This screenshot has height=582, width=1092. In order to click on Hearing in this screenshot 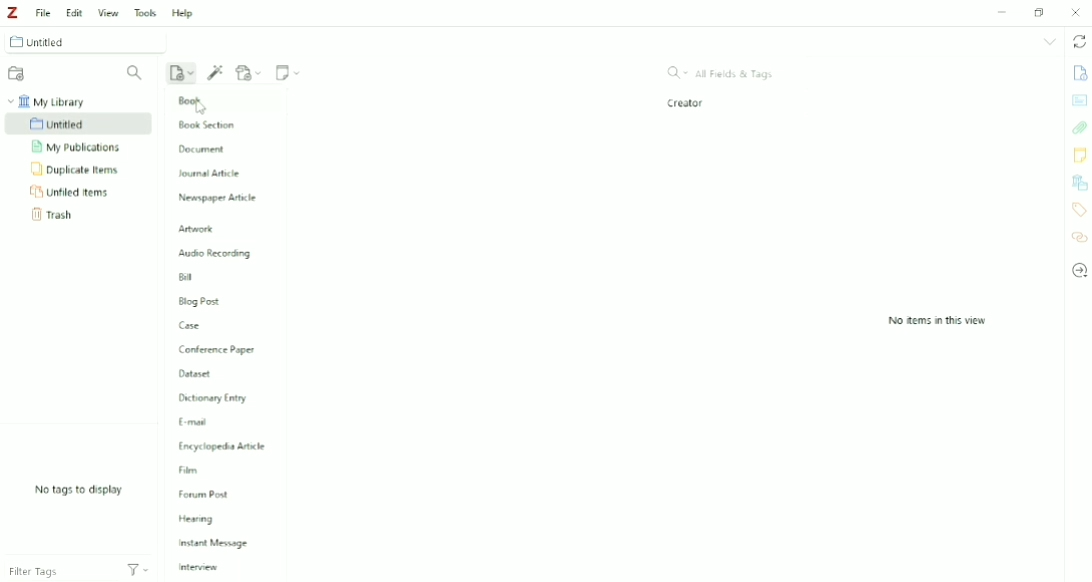, I will do `click(199, 520)`.